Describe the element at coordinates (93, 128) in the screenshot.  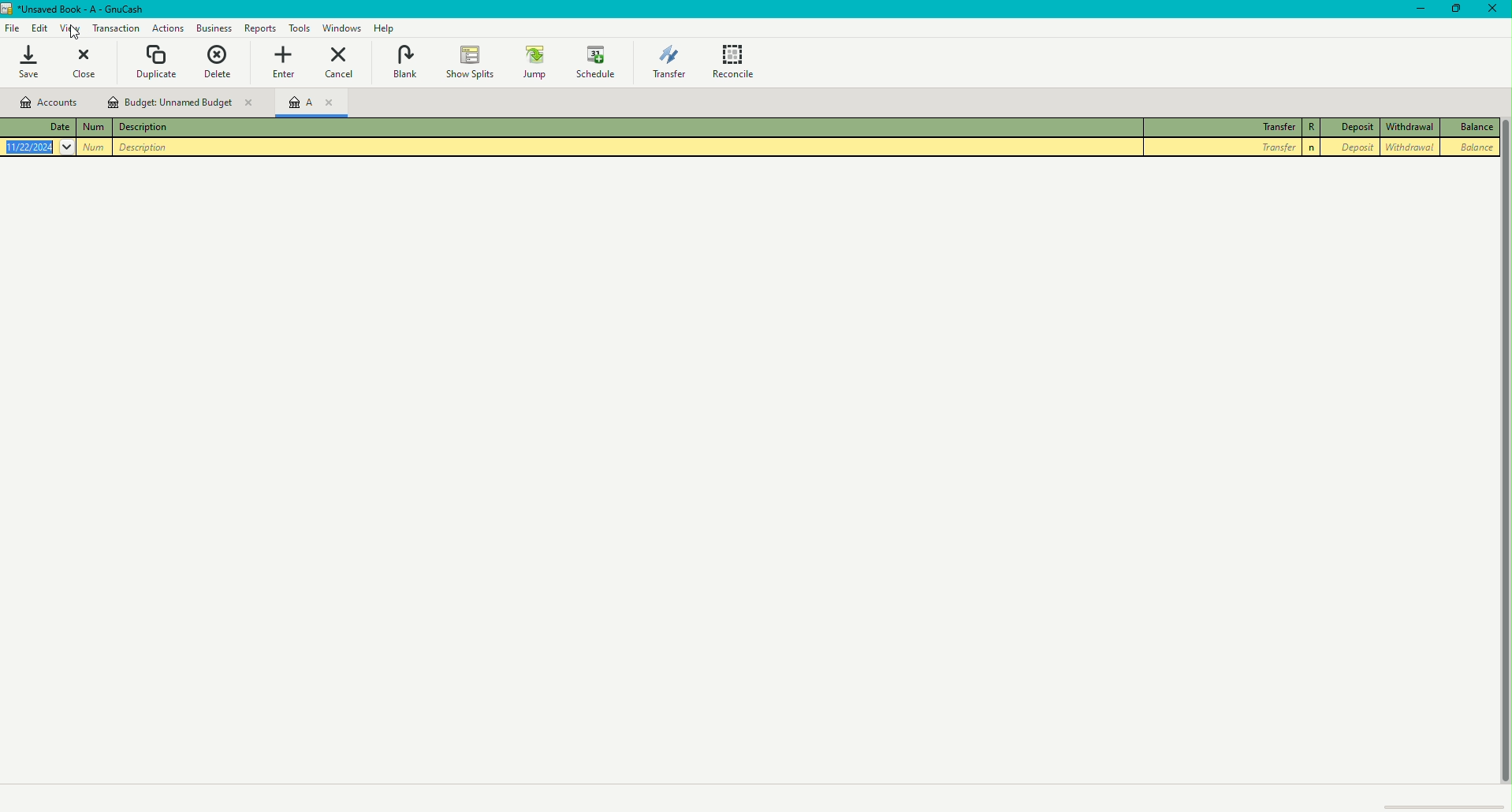
I see `Num` at that location.